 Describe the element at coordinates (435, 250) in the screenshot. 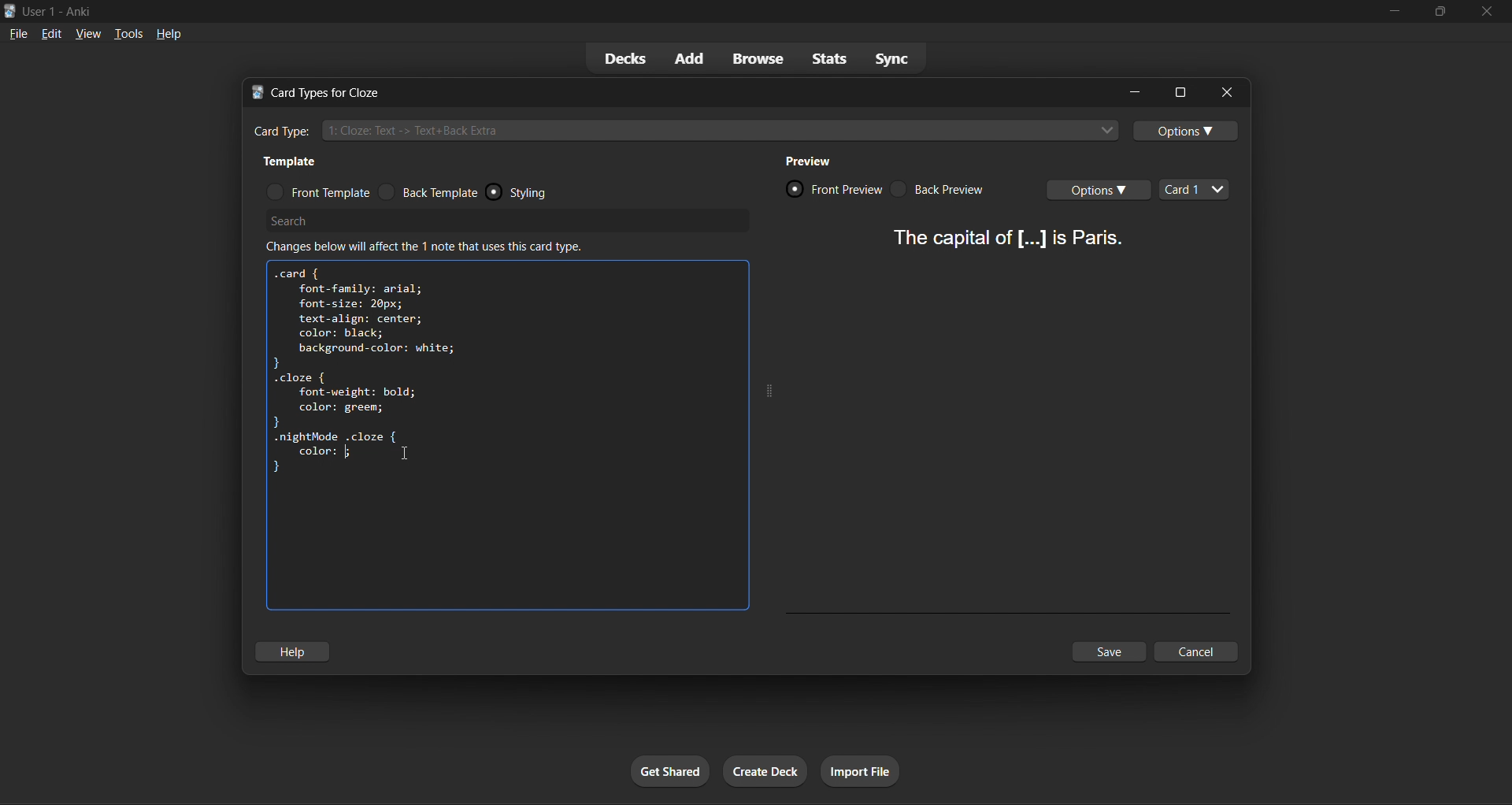

I see `info` at that location.